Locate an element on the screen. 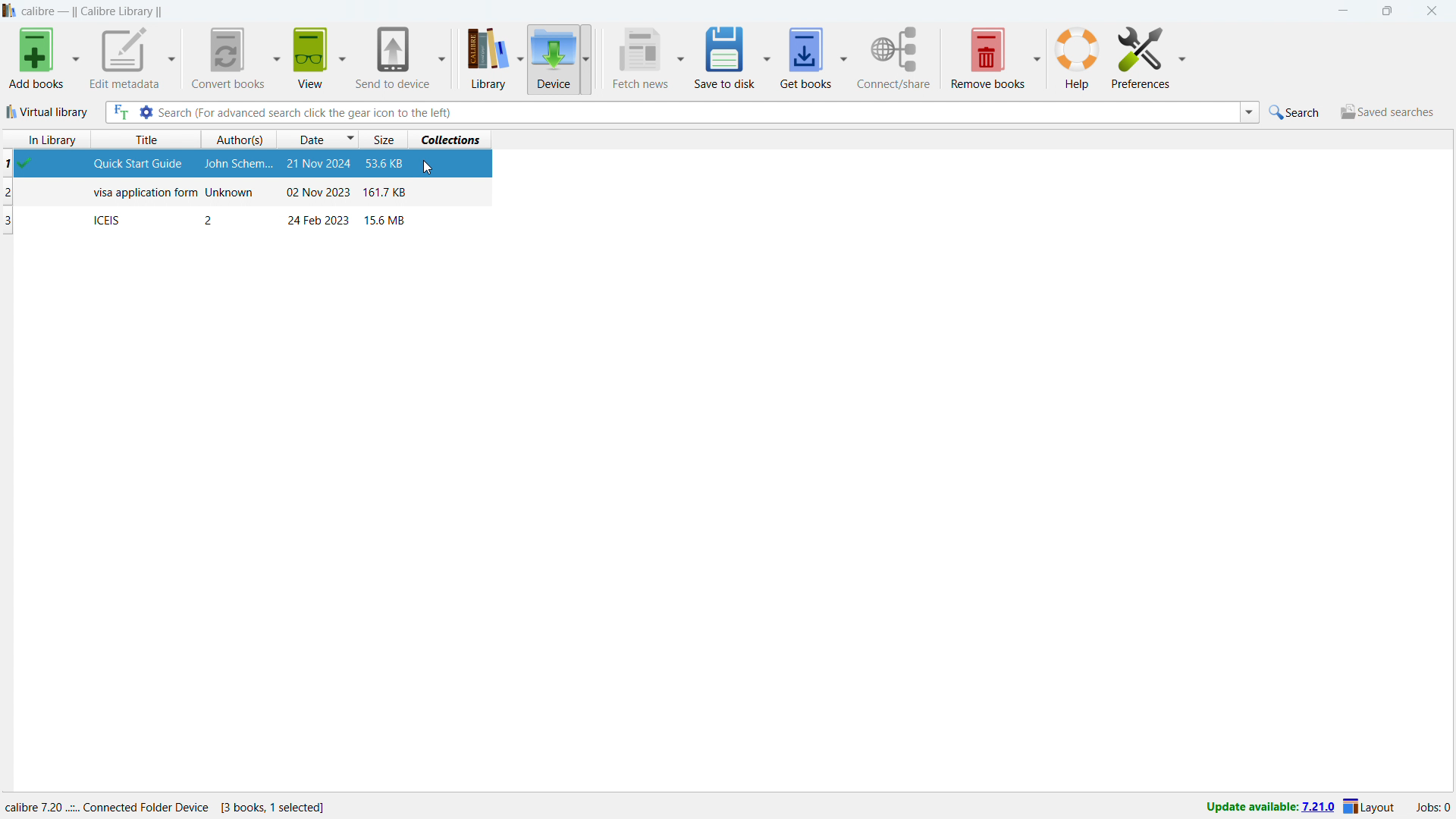  send to device is located at coordinates (393, 56).